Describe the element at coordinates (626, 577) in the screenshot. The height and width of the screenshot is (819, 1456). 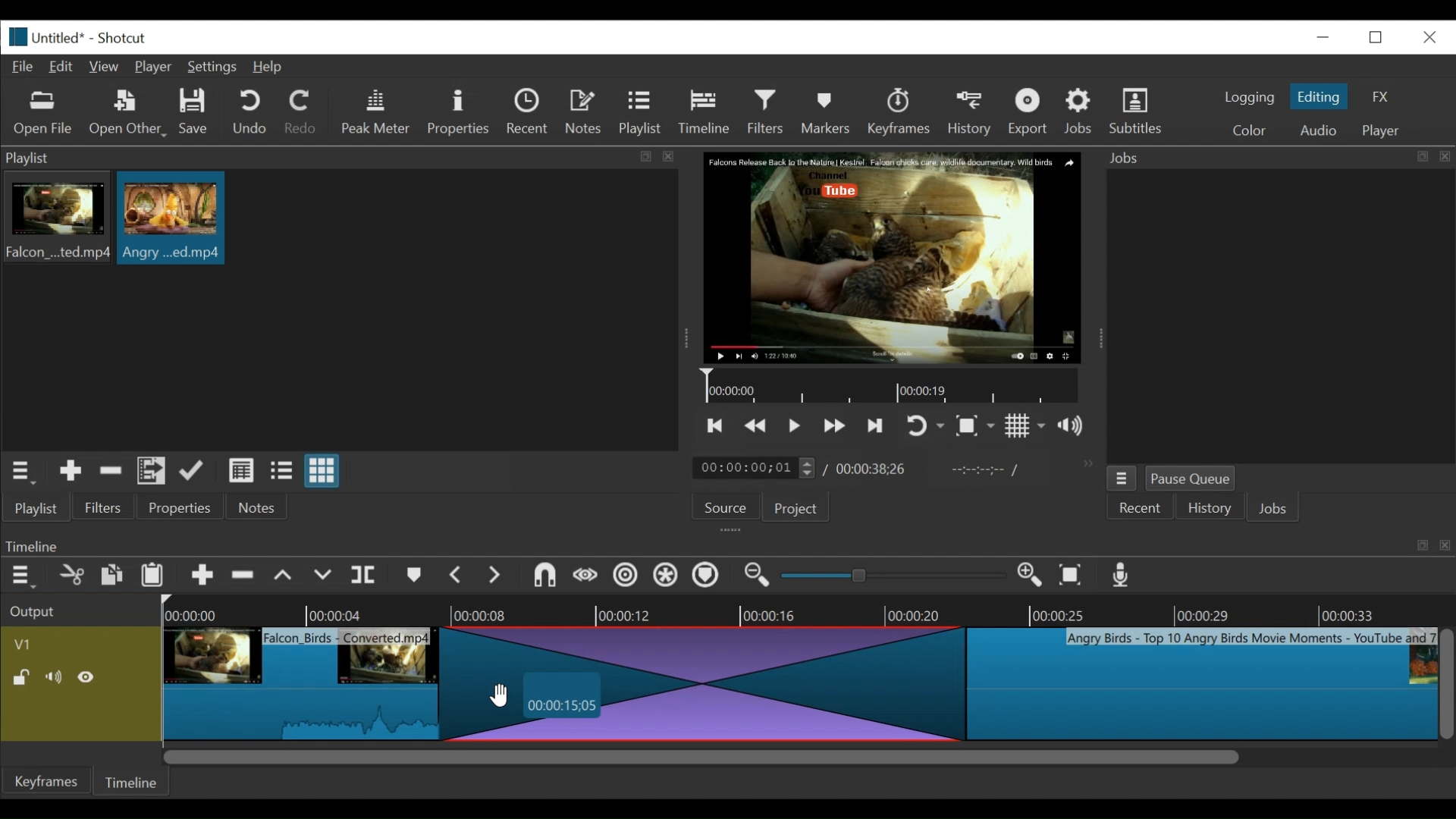
I see `Ripple ` at that location.